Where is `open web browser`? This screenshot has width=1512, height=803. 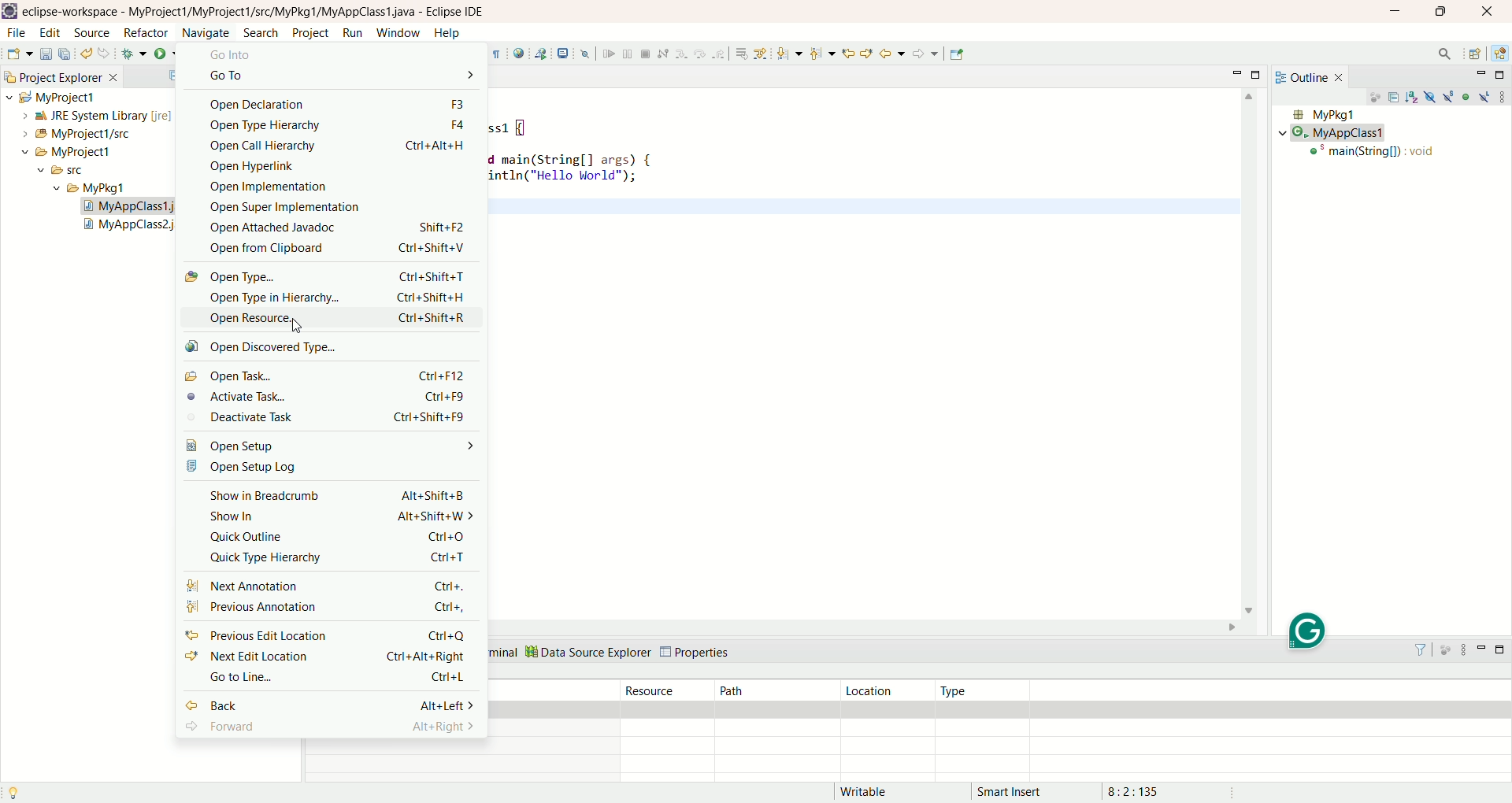
open web browser is located at coordinates (518, 54).